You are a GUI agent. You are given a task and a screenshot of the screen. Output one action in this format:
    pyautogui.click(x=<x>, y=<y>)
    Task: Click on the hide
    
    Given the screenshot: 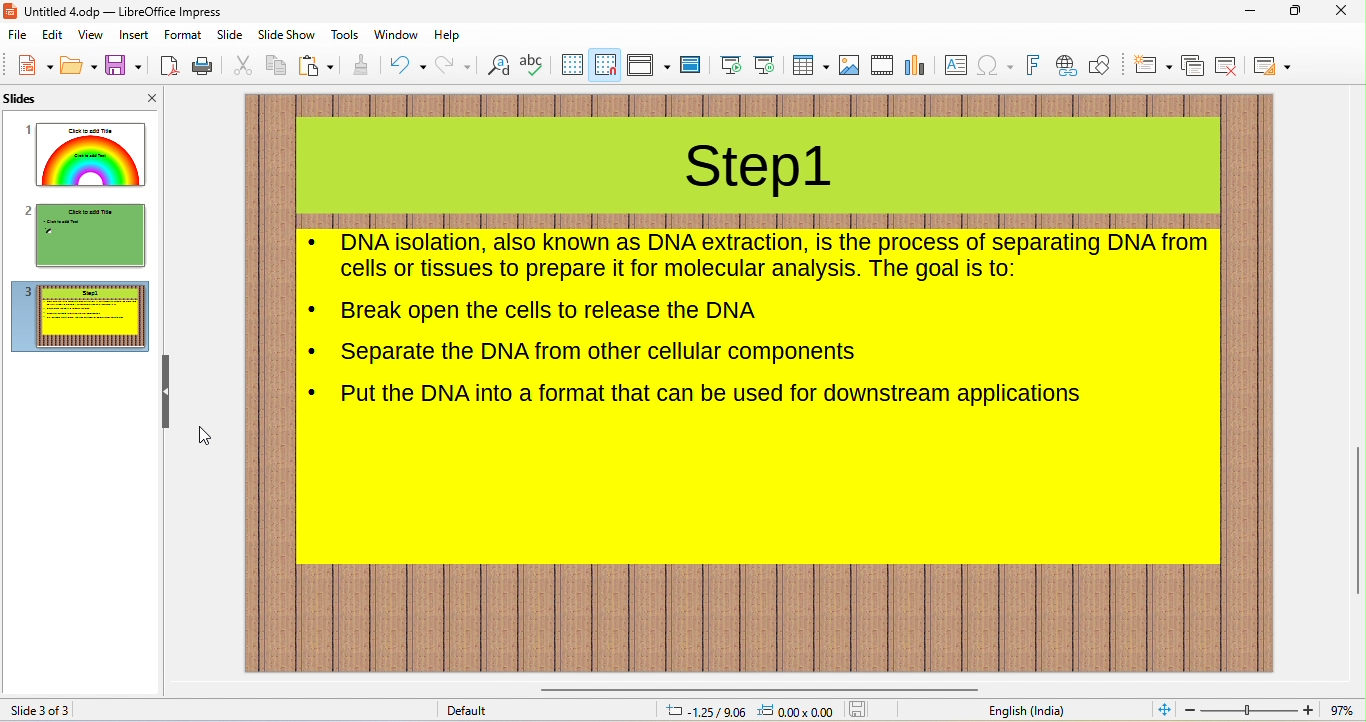 What is the action you would take?
    pyautogui.click(x=167, y=393)
    